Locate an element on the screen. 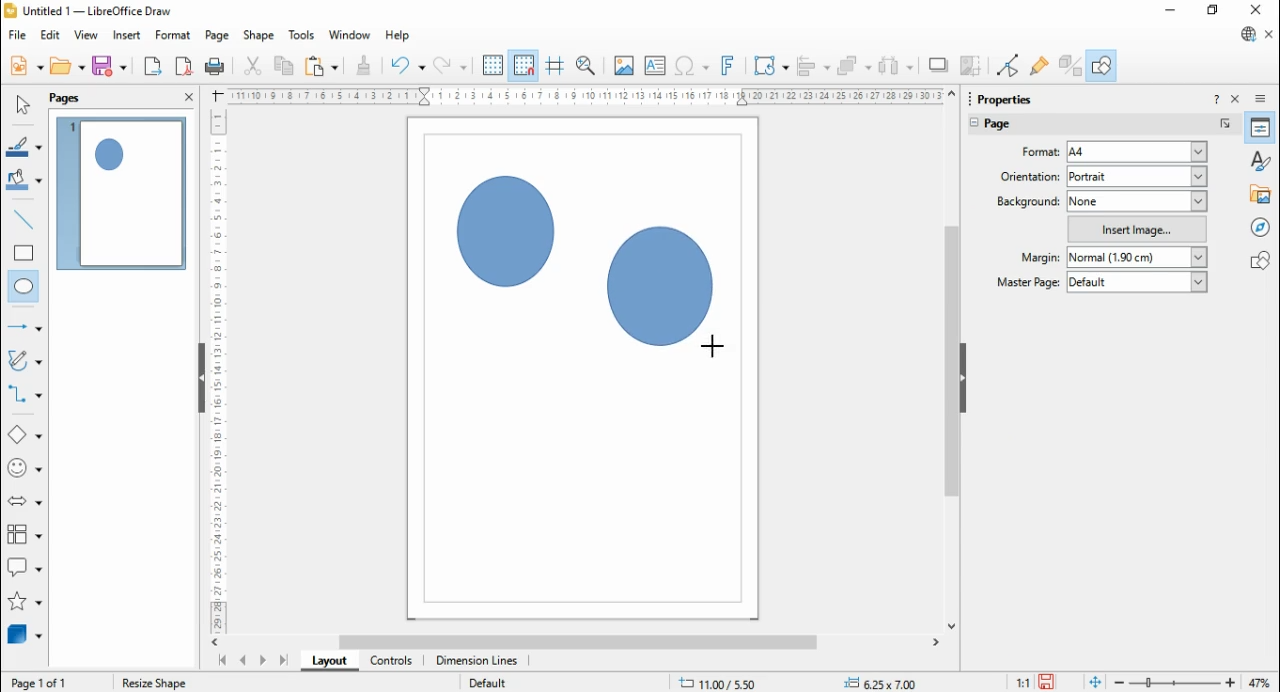  last page is located at coordinates (283, 660).